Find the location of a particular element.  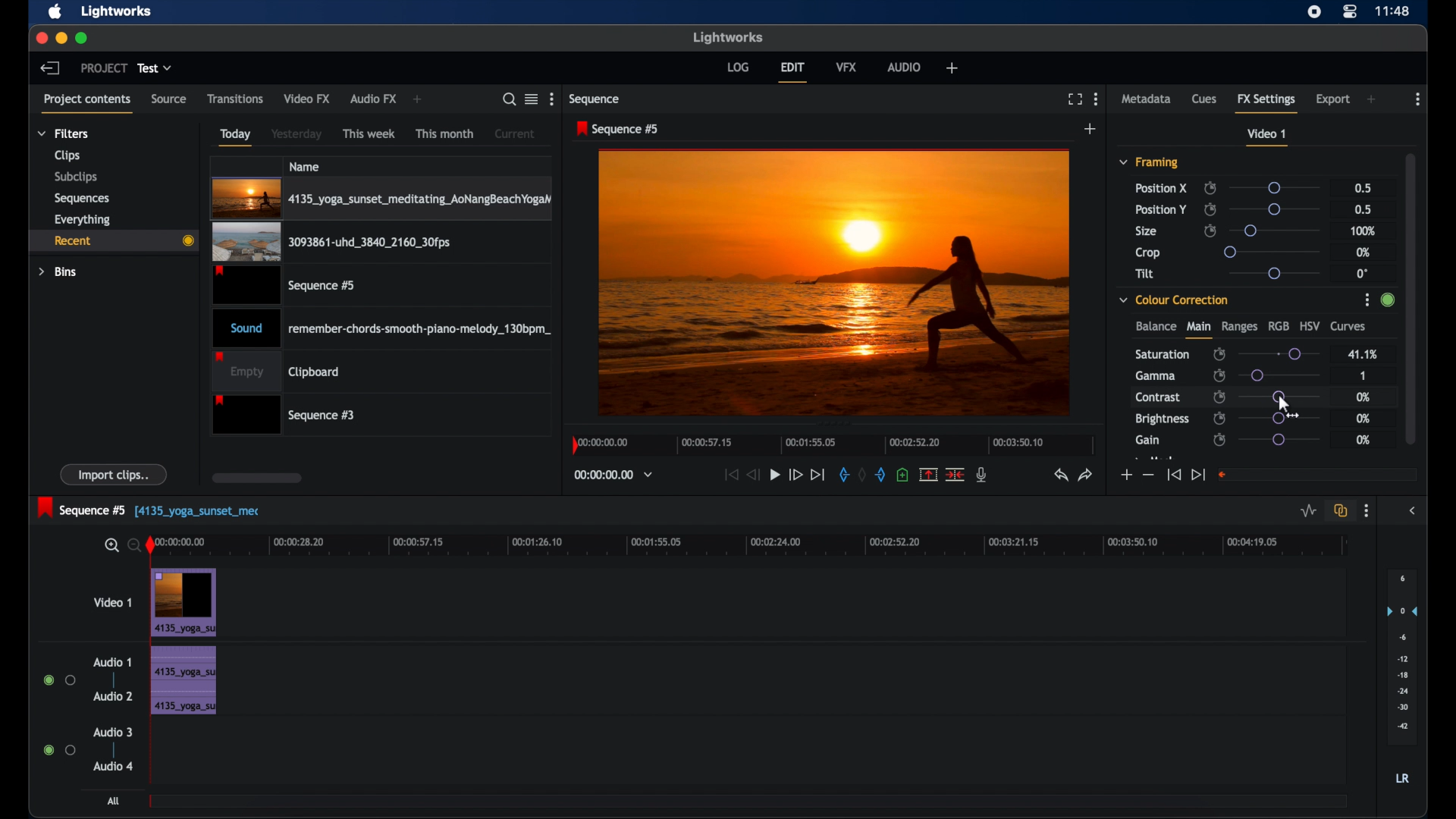

import clips is located at coordinates (115, 475).